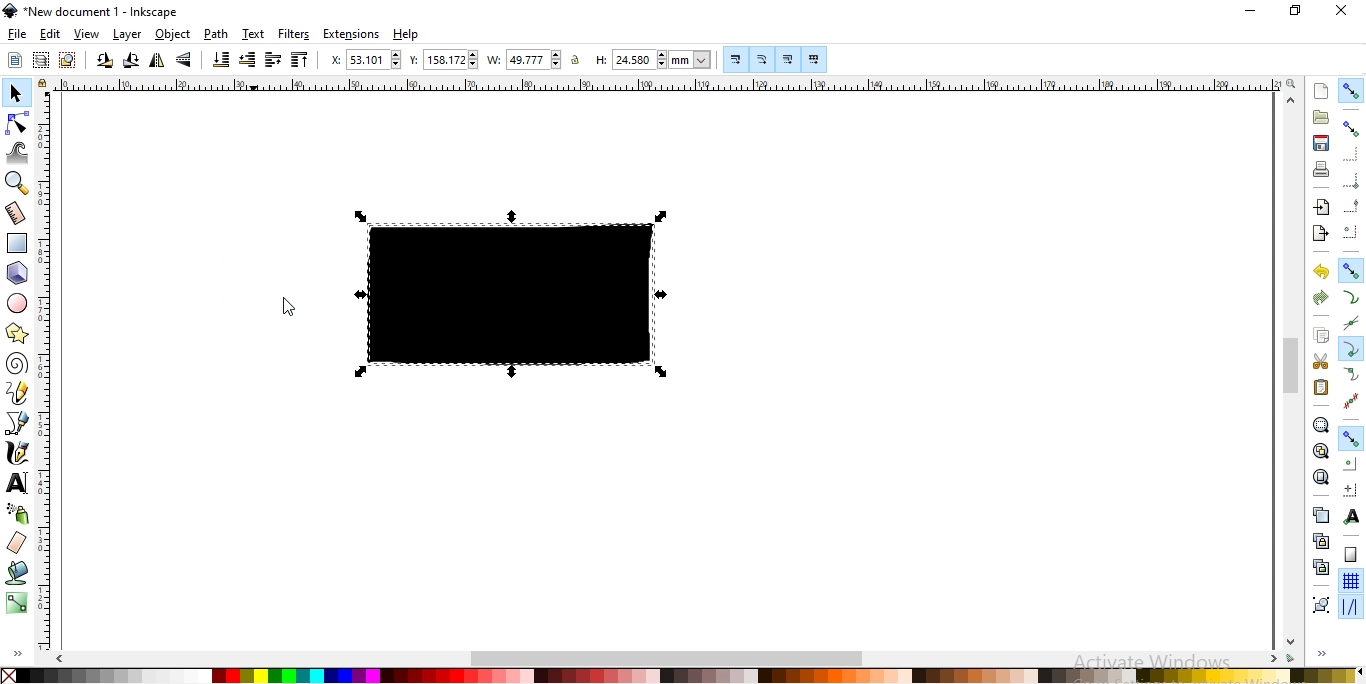 The image size is (1366, 684). What do you see at coordinates (1351, 464) in the screenshot?
I see `snap centers of objects` at bounding box center [1351, 464].